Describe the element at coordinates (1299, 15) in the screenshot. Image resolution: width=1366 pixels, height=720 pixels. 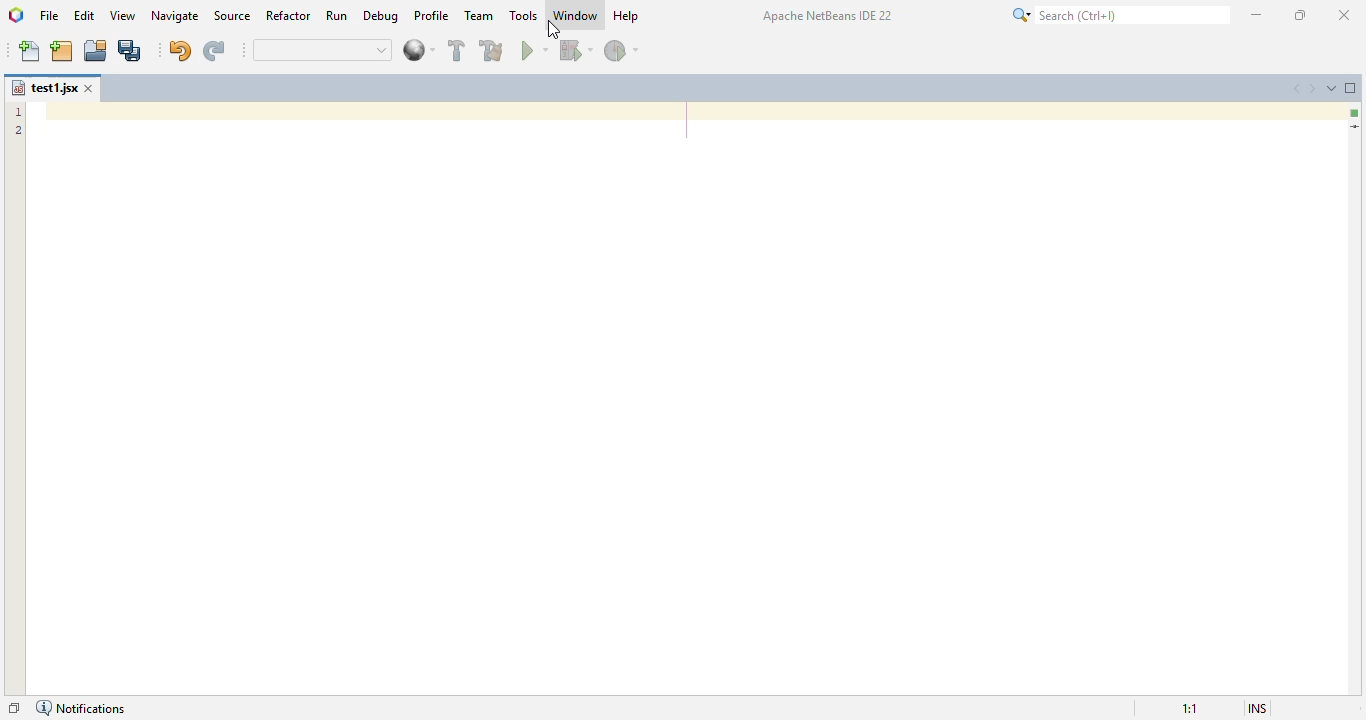
I see `maximize` at that location.